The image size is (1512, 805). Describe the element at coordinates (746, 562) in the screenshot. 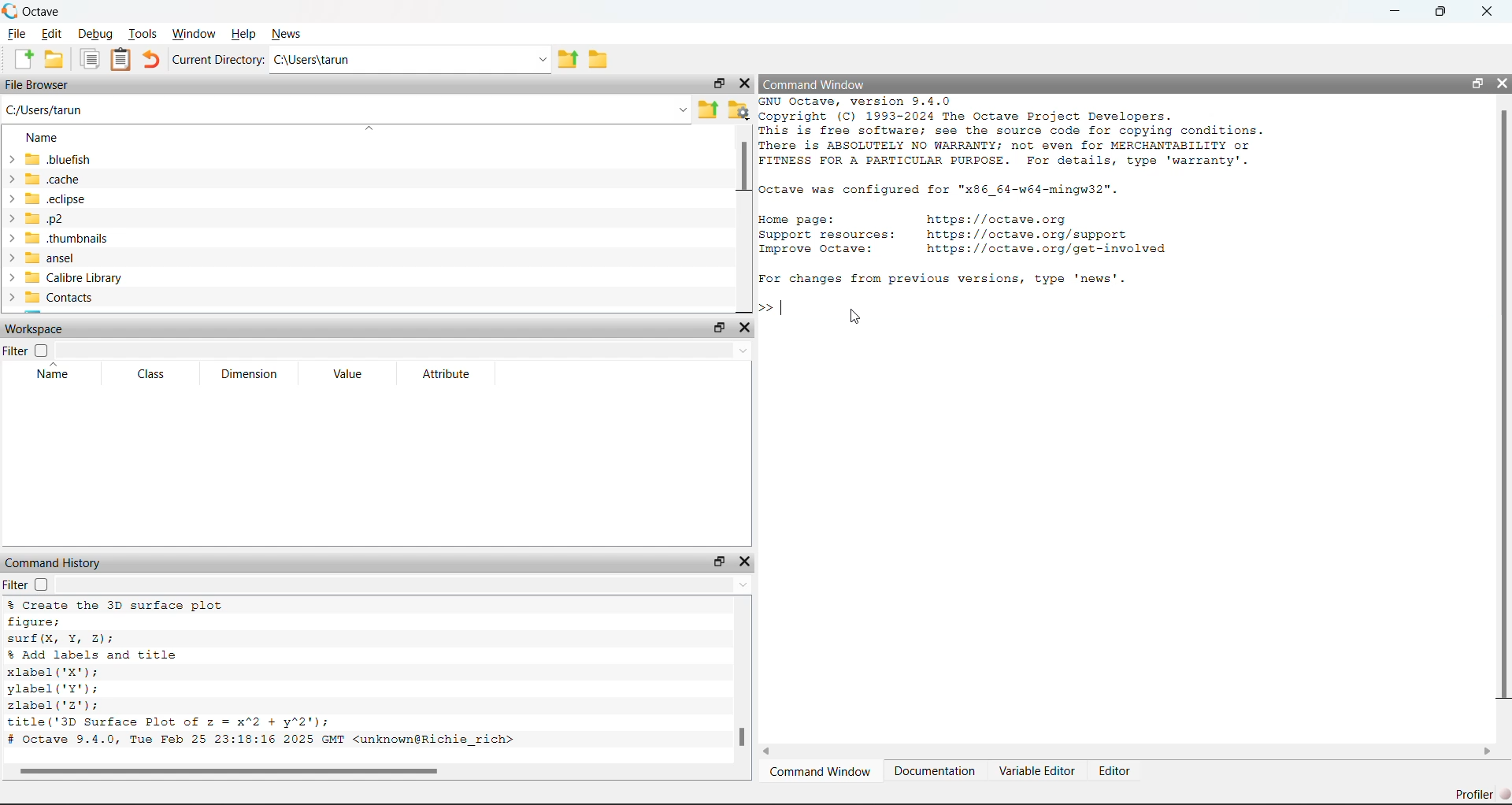

I see `Close` at that location.